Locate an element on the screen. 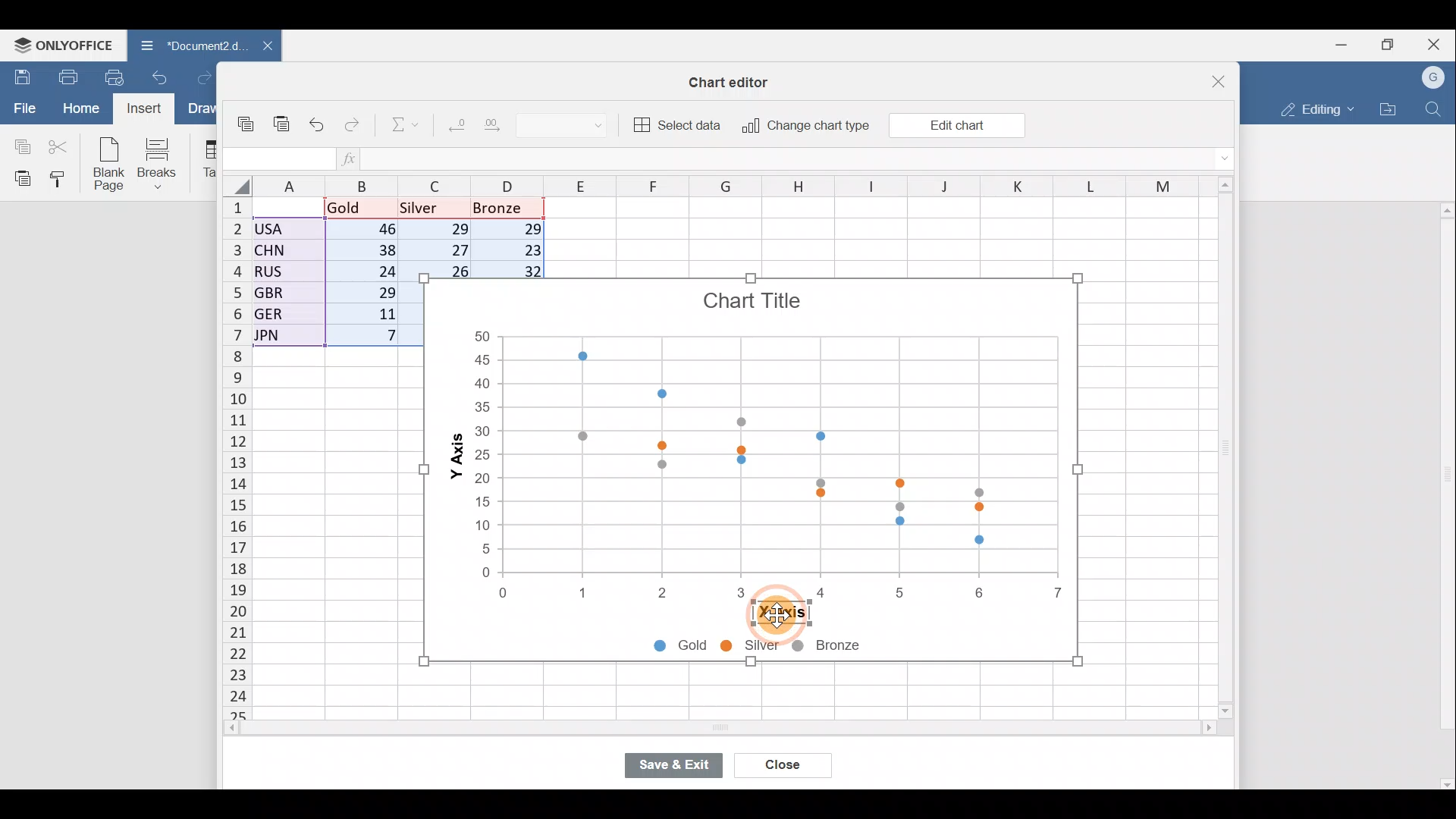 The width and height of the screenshot is (1456, 819). Redo is located at coordinates (201, 77).